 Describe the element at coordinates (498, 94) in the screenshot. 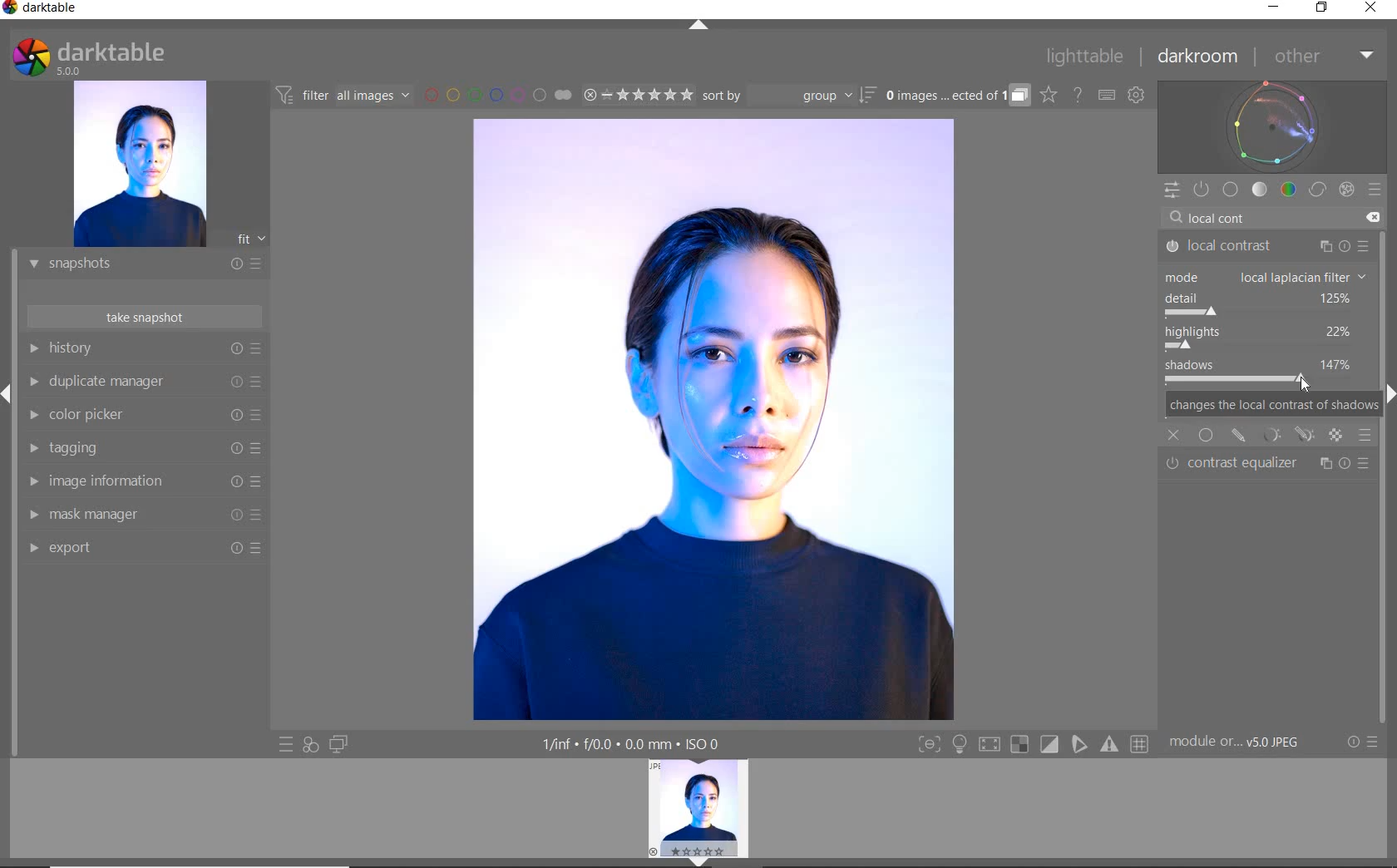

I see `FILTER BY IMAGE COLOR LABEL` at that location.